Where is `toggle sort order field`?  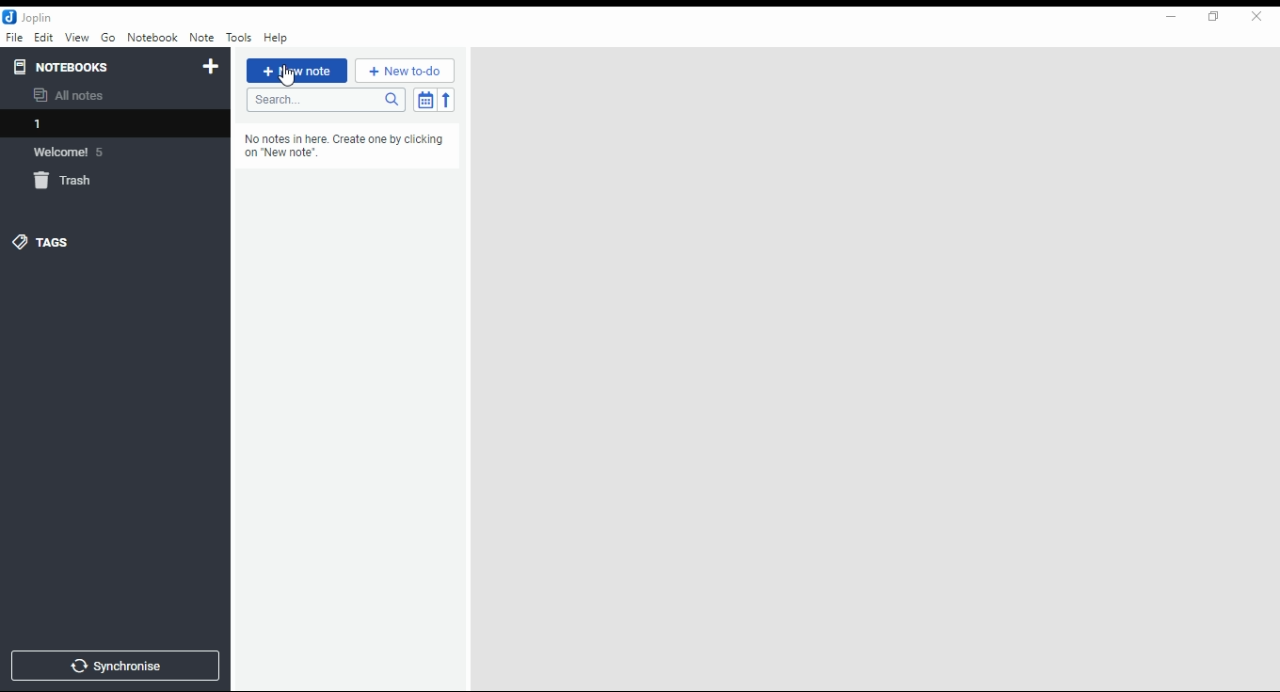
toggle sort order field is located at coordinates (424, 99).